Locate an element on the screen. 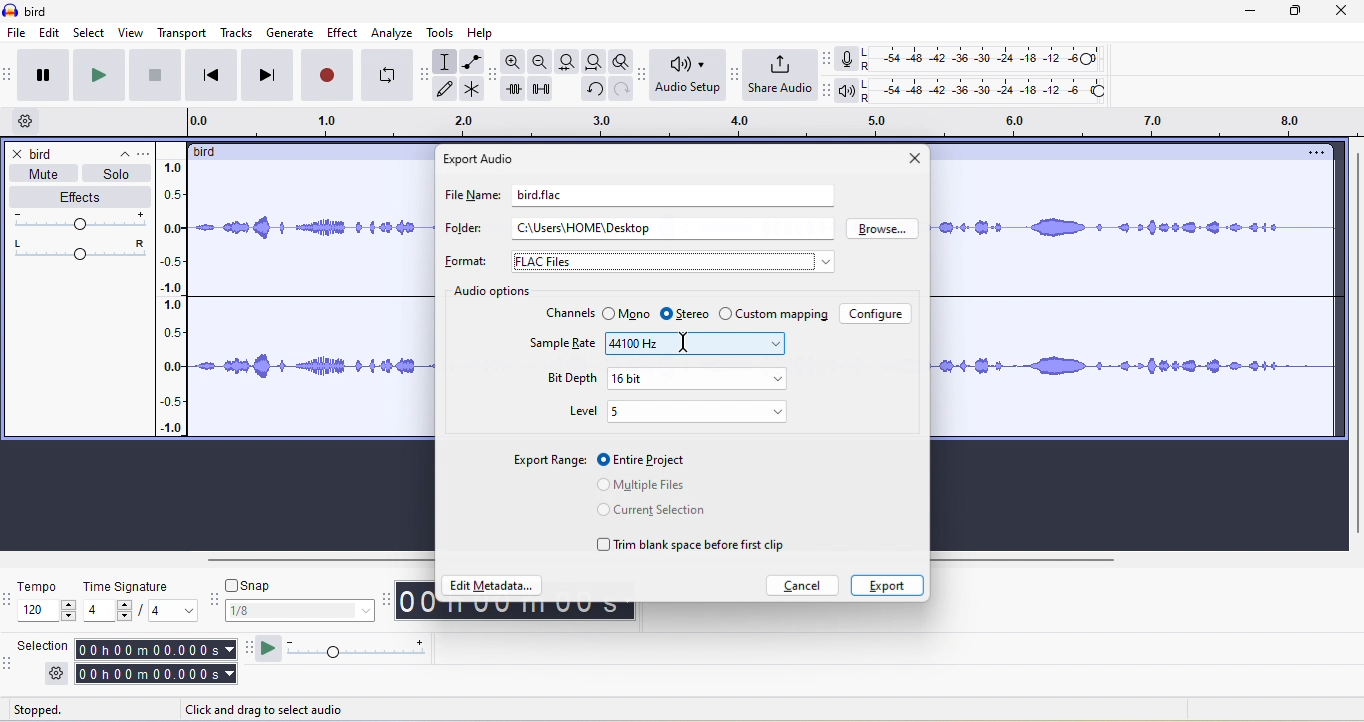 The height and width of the screenshot is (722, 1364). cancel is located at coordinates (805, 585).